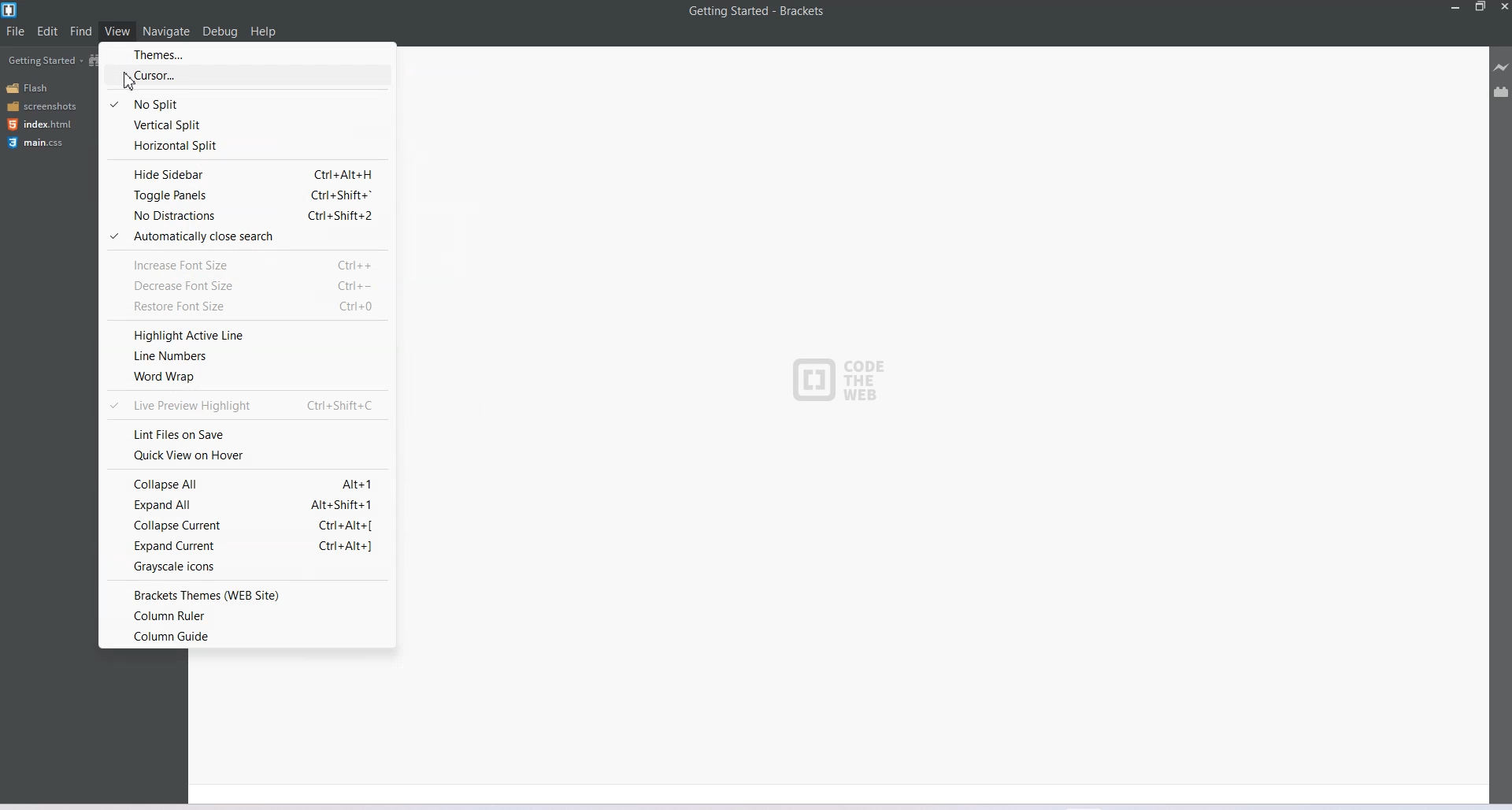 The height and width of the screenshot is (810, 1512). I want to click on Bracket theme WEB site, so click(246, 594).